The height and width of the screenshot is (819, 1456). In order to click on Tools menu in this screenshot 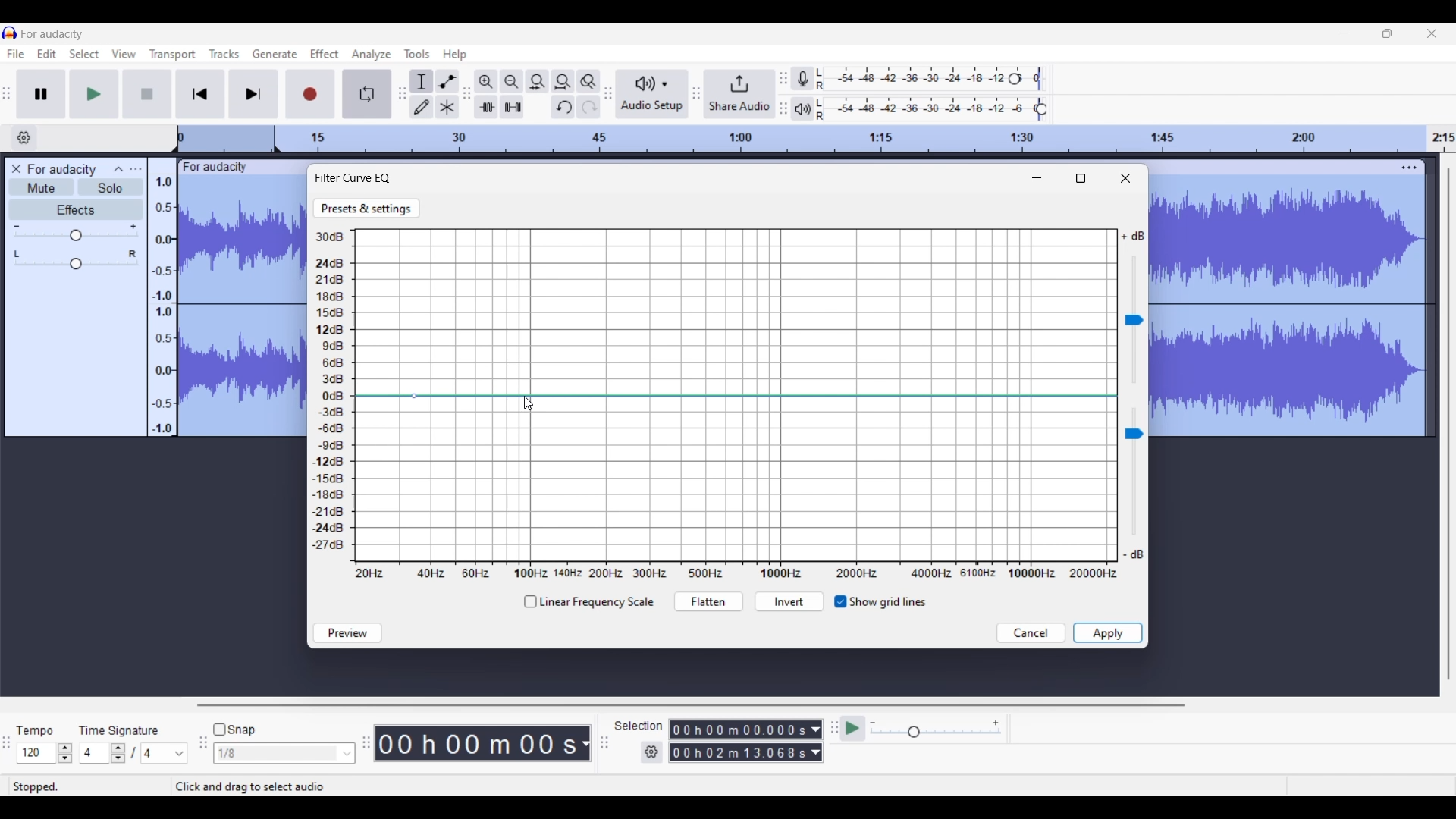, I will do `click(416, 54)`.